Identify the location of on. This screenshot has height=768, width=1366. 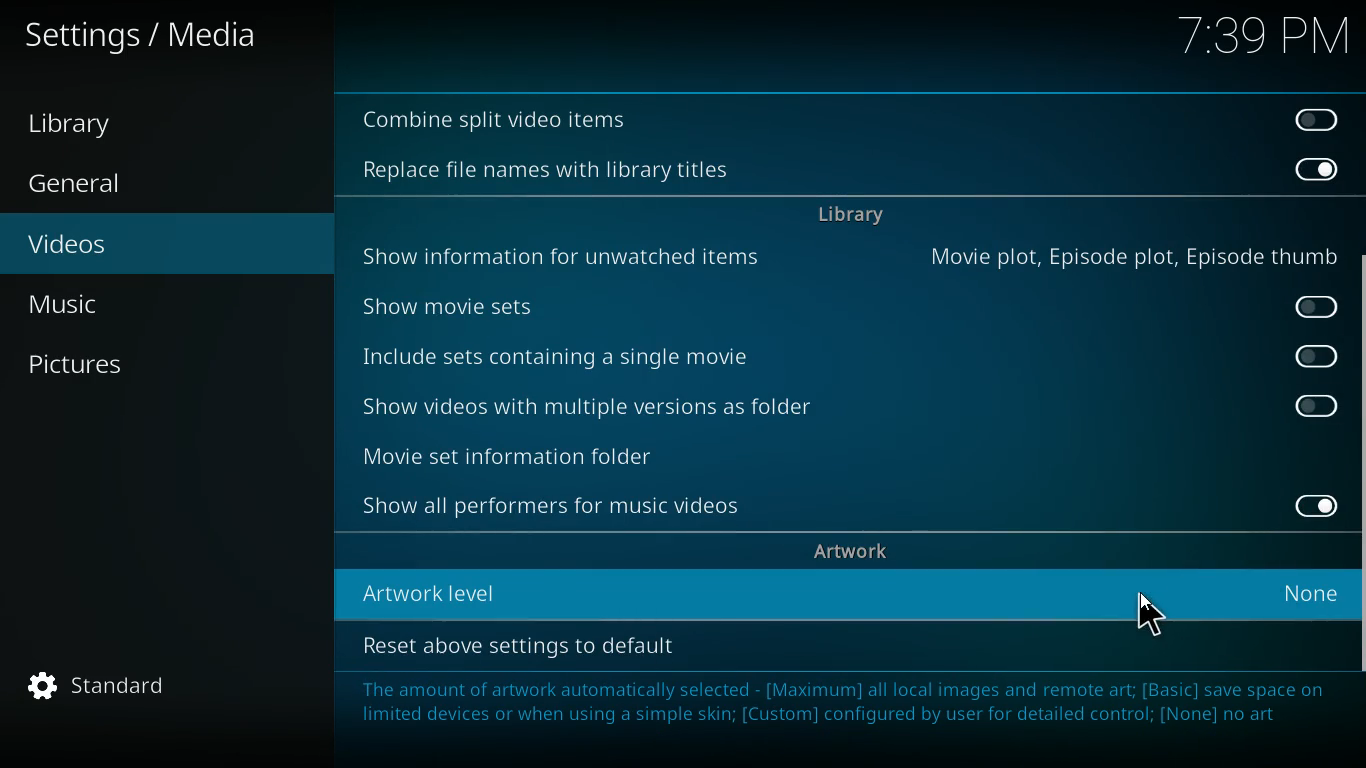
(1316, 168).